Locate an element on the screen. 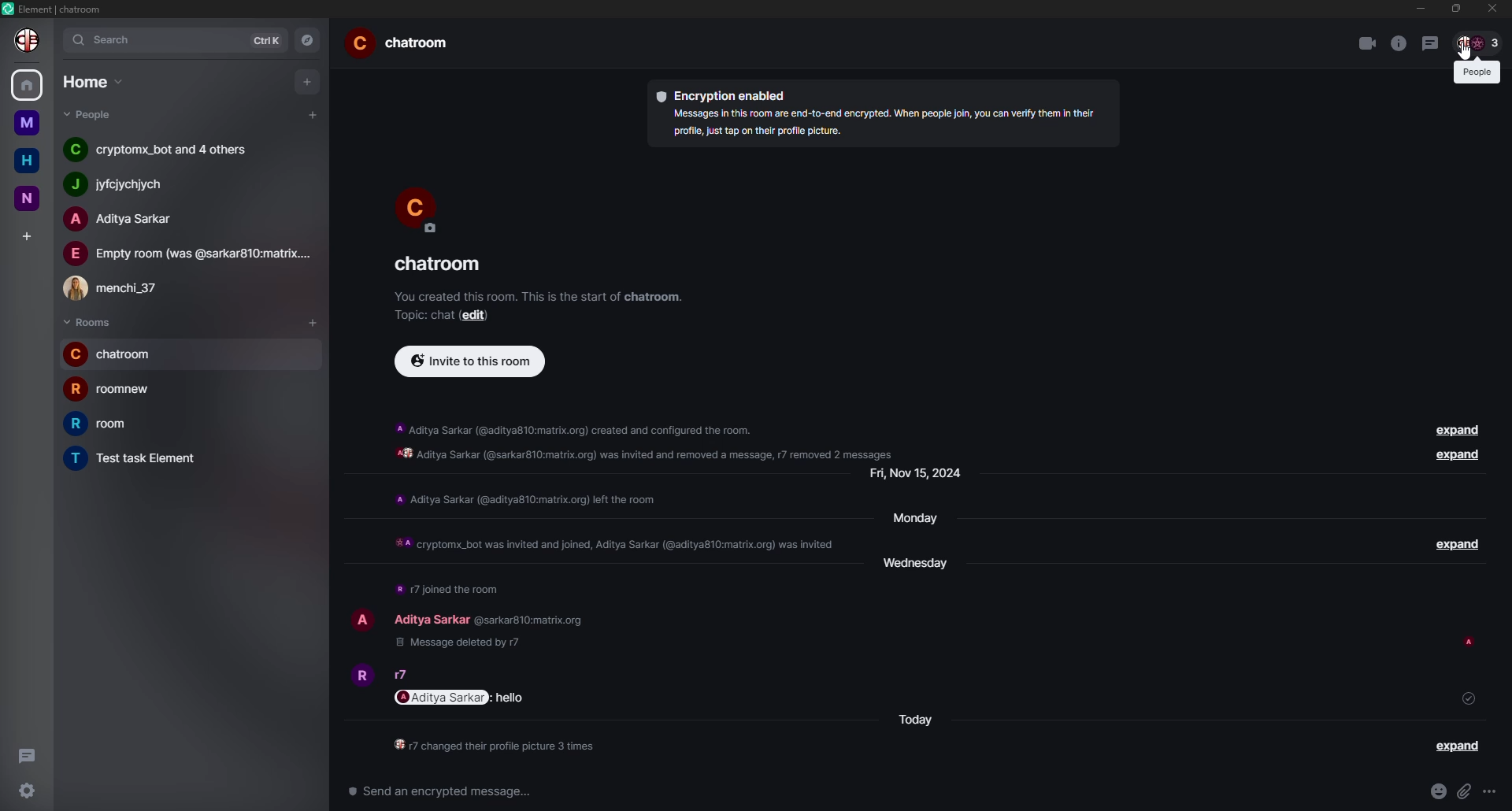 The image size is (1512, 811). info is located at coordinates (449, 589).